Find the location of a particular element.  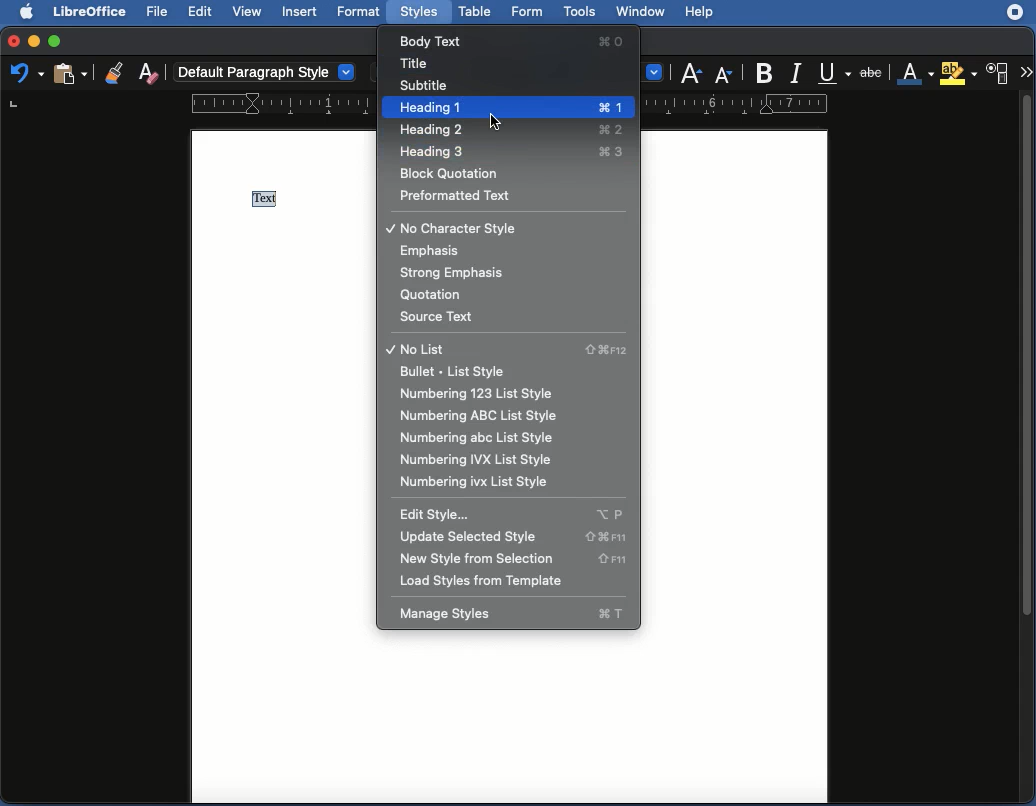

Character is located at coordinates (998, 74).